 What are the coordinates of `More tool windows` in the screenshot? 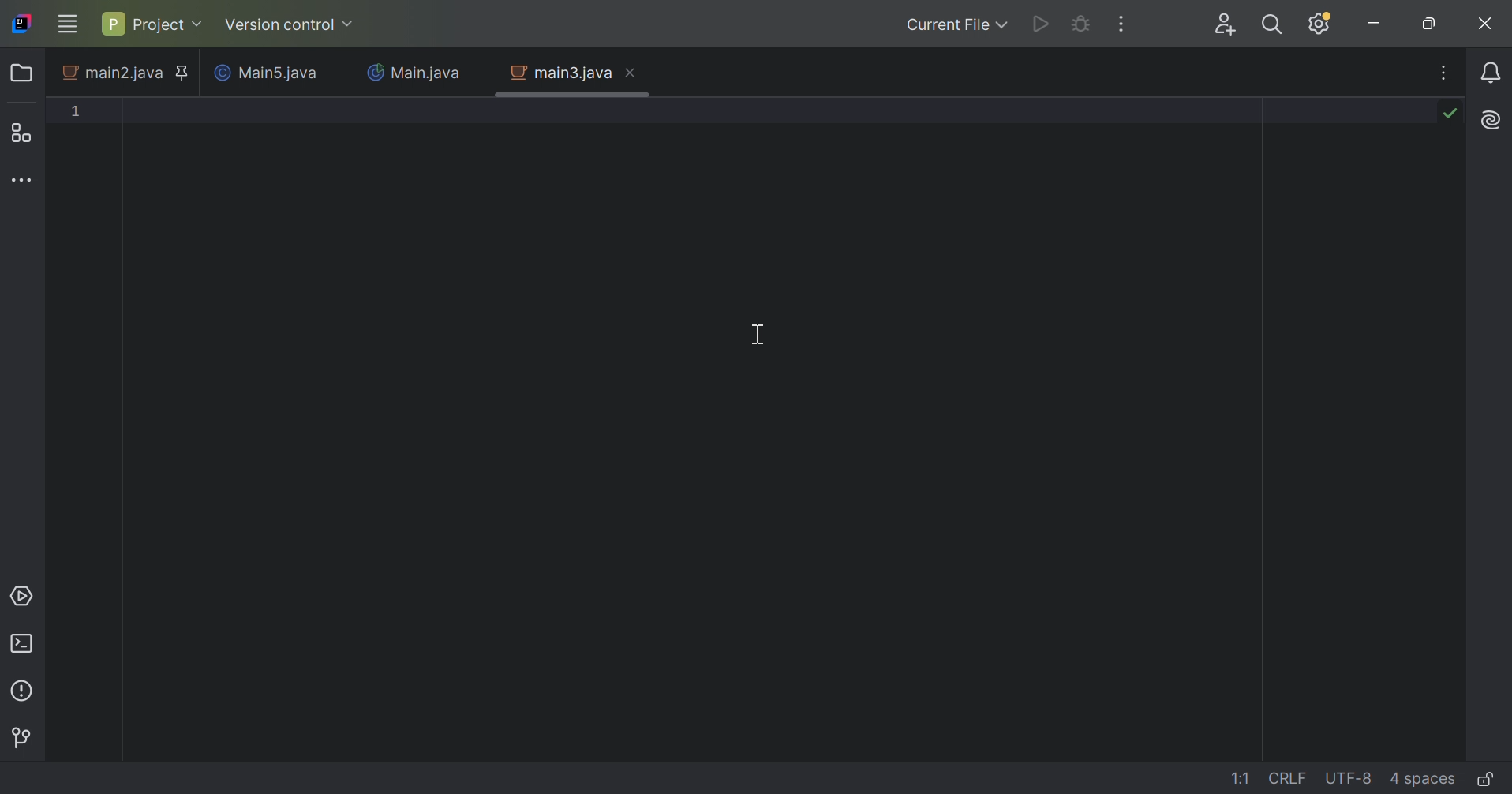 It's located at (24, 179).